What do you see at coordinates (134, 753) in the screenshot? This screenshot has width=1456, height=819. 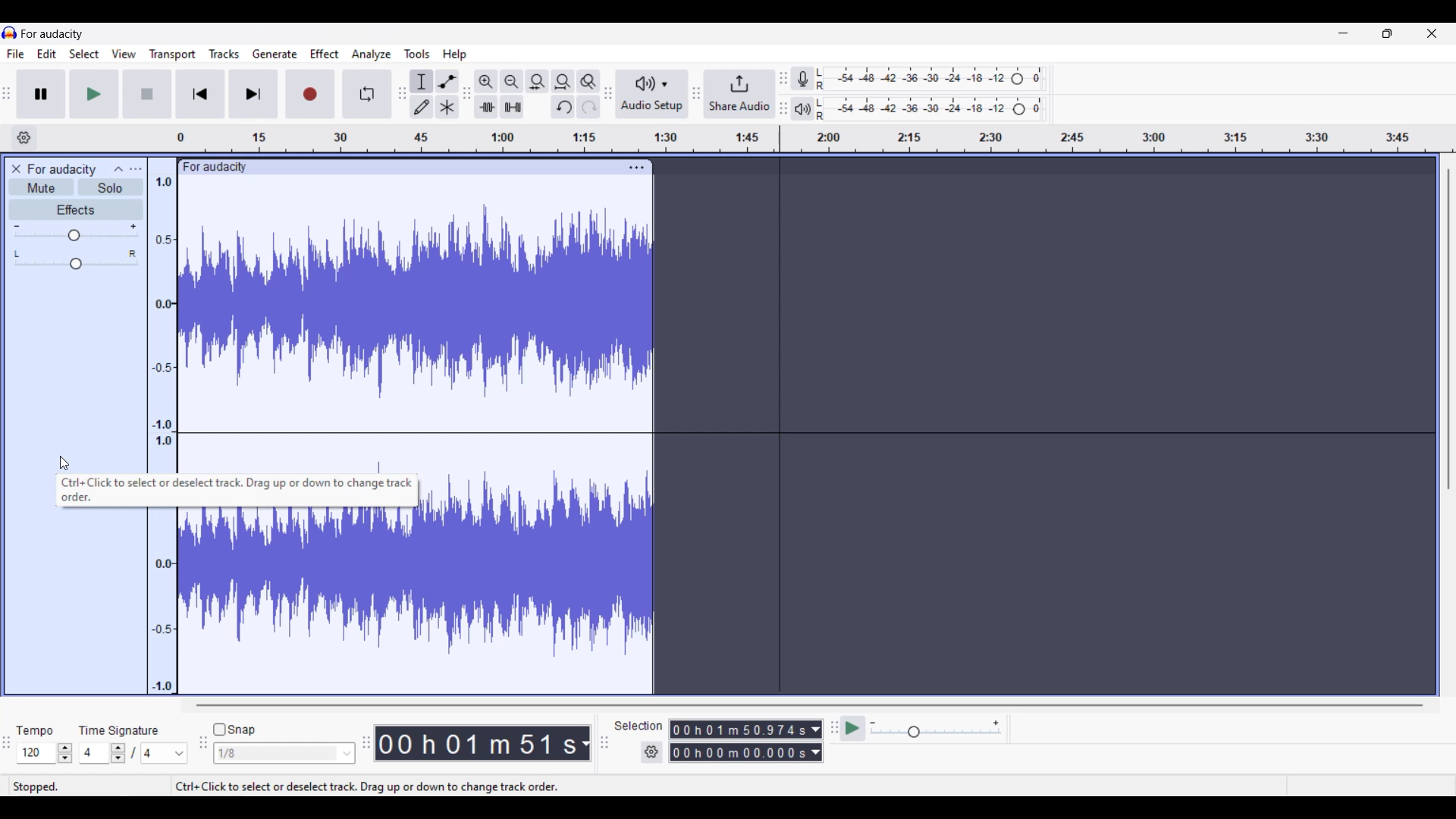 I see `Time signature settings` at bounding box center [134, 753].